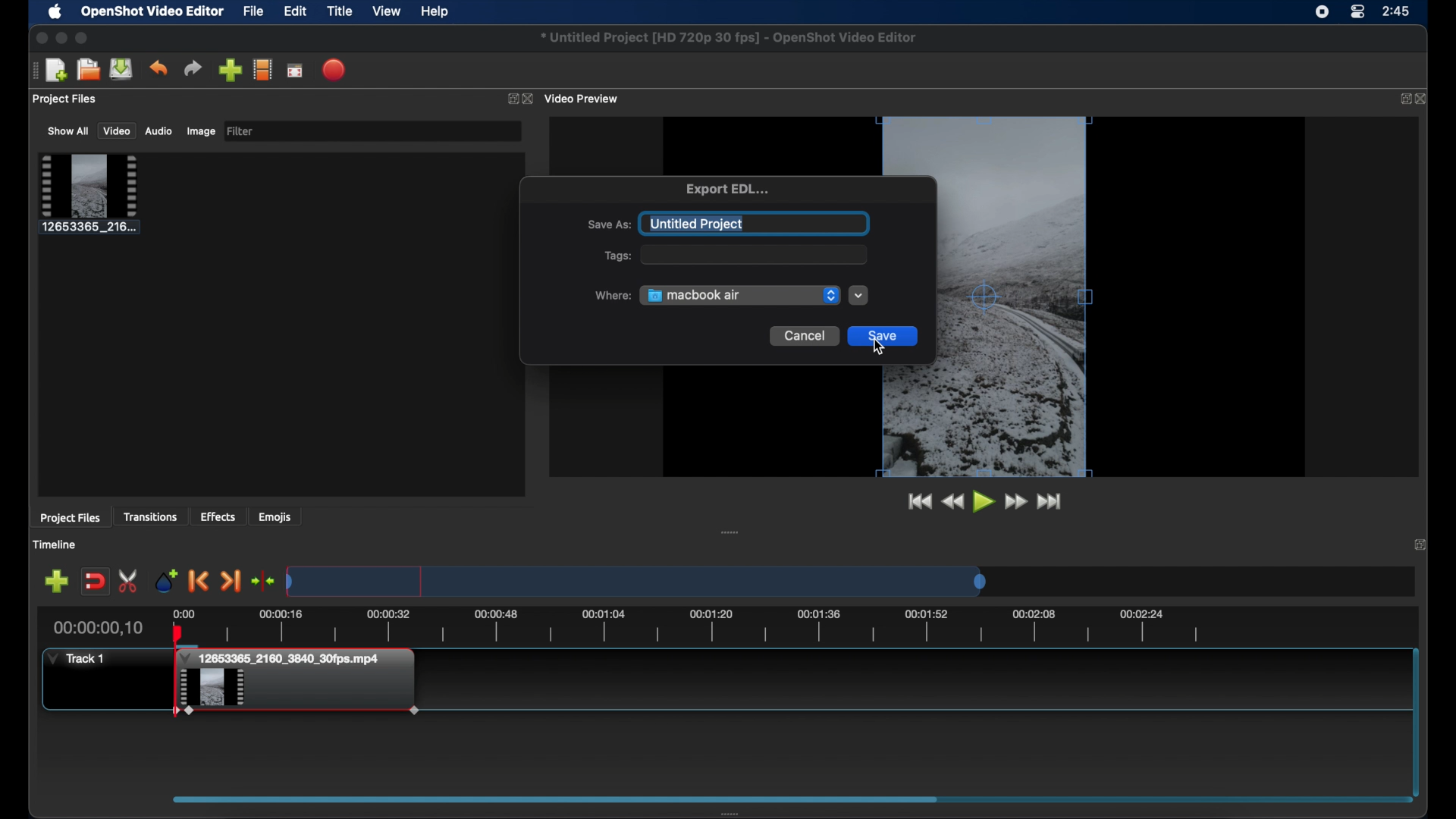 The height and width of the screenshot is (819, 1456). Describe the element at coordinates (1050, 501) in the screenshot. I see `jump to end` at that location.